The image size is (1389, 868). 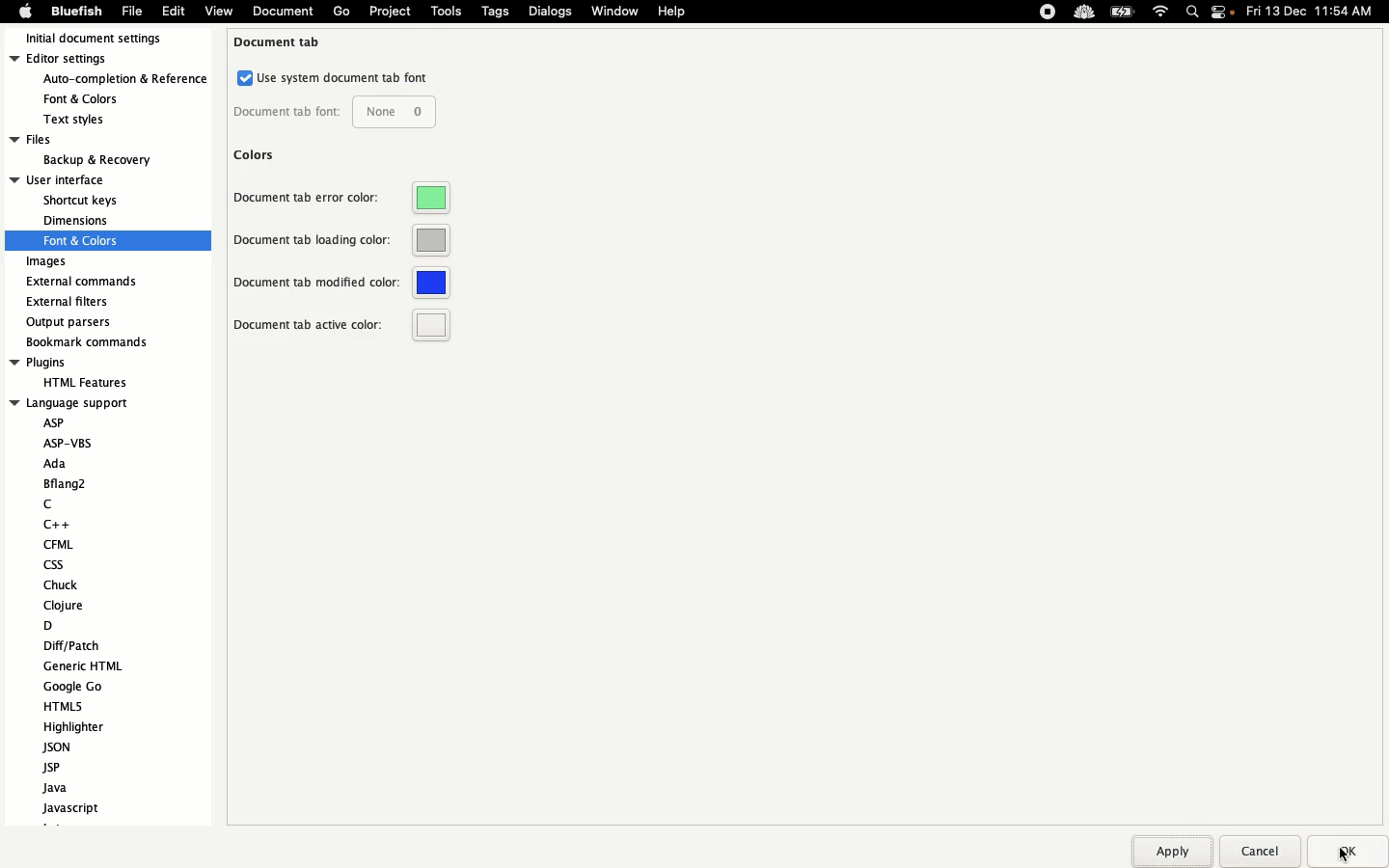 I want to click on Document tab error color, so click(x=313, y=203).